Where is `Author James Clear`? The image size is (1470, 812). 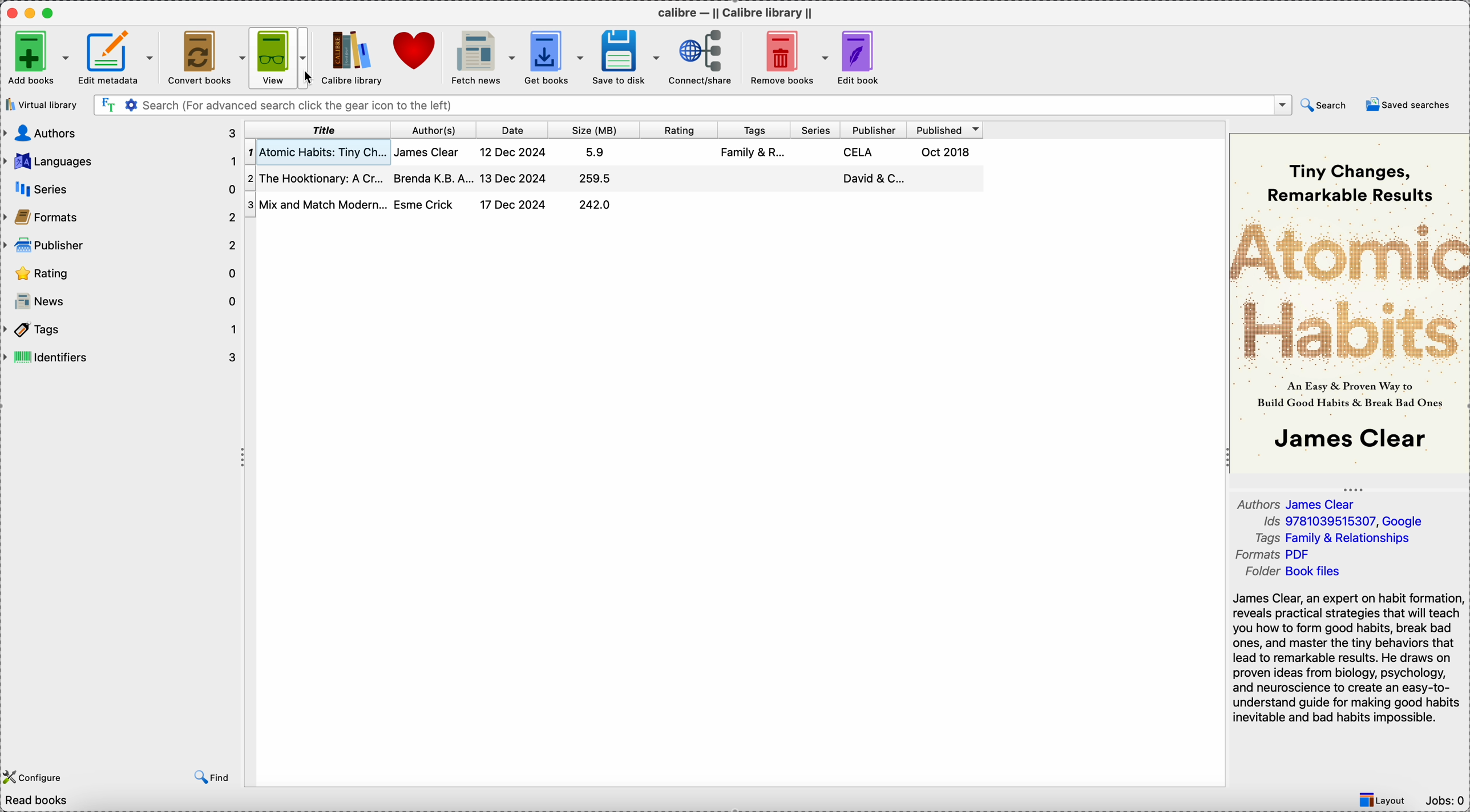
Author James Clear is located at coordinates (1298, 503).